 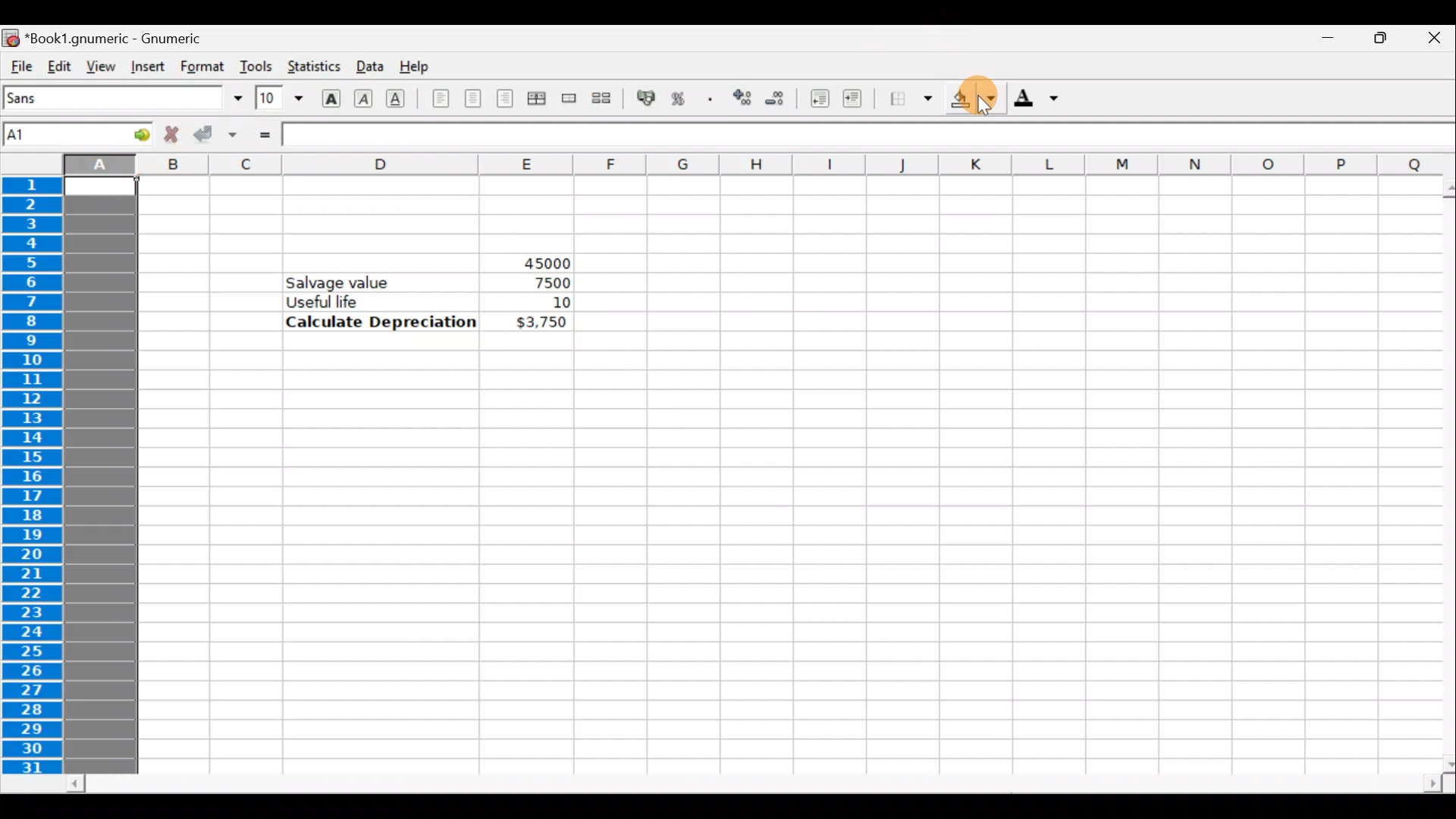 What do you see at coordinates (540, 323) in the screenshot?
I see `$3,750` at bounding box center [540, 323].